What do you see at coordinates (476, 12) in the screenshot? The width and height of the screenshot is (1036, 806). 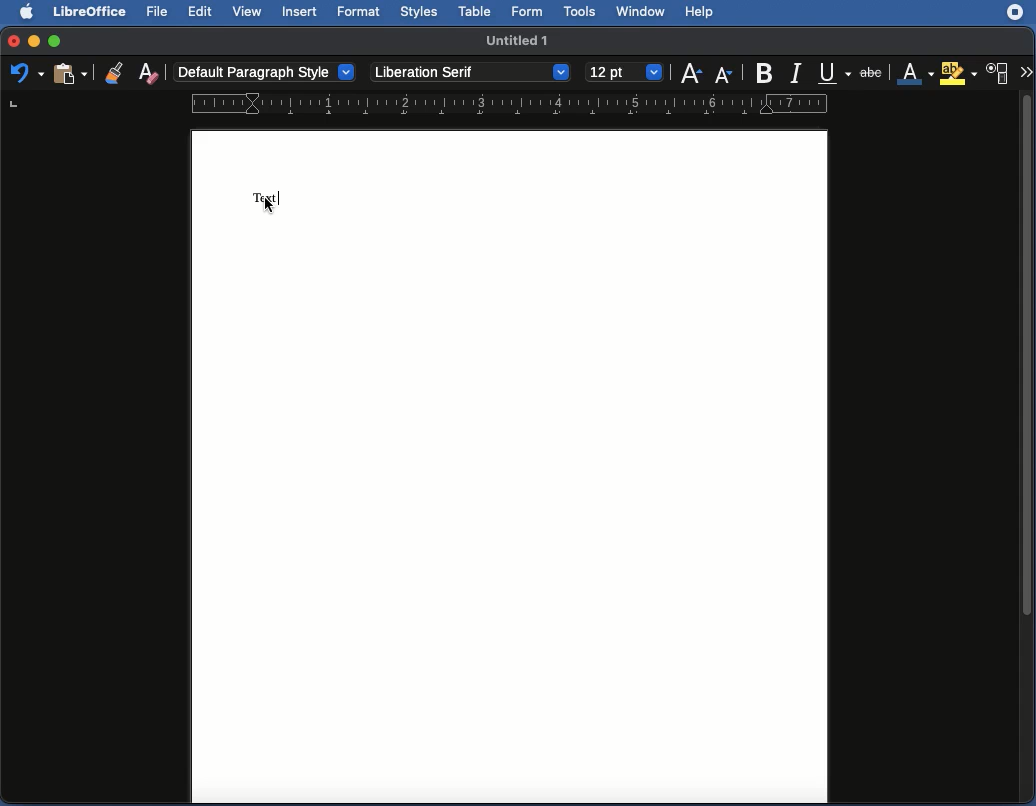 I see `Table` at bounding box center [476, 12].